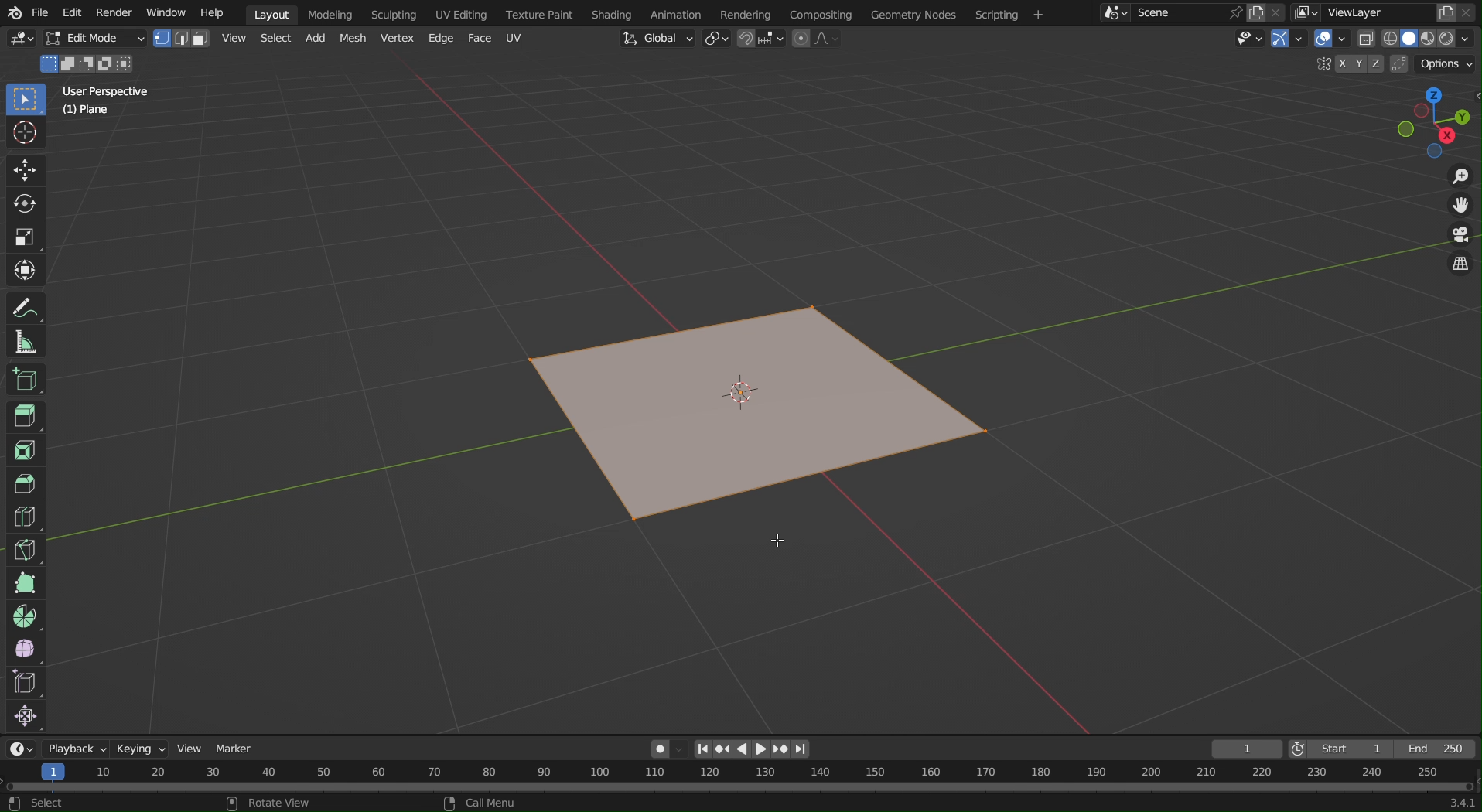 The width and height of the screenshot is (1482, 812). What do you see at coordinates (1434, 122) in the screenshot?
I see `Viewport` at bounding box center [1434, 122].